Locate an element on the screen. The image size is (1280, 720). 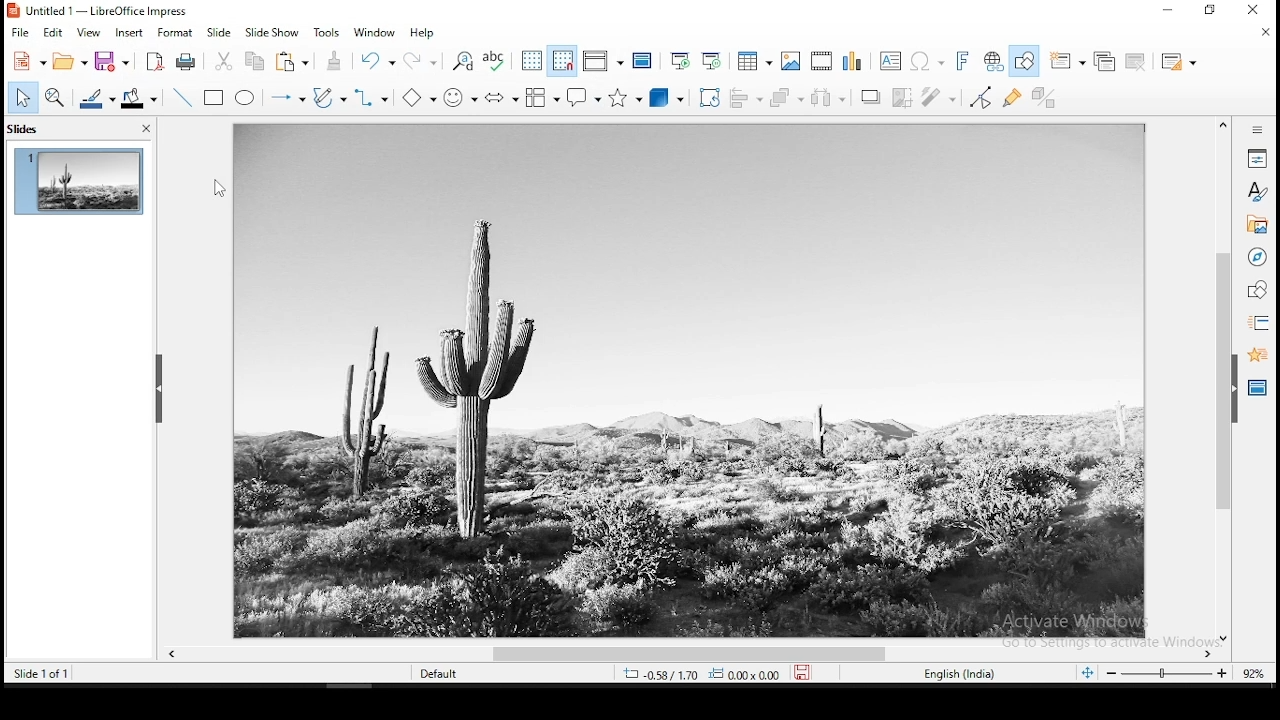
symbol shapes is located at coordinates (460, 95).